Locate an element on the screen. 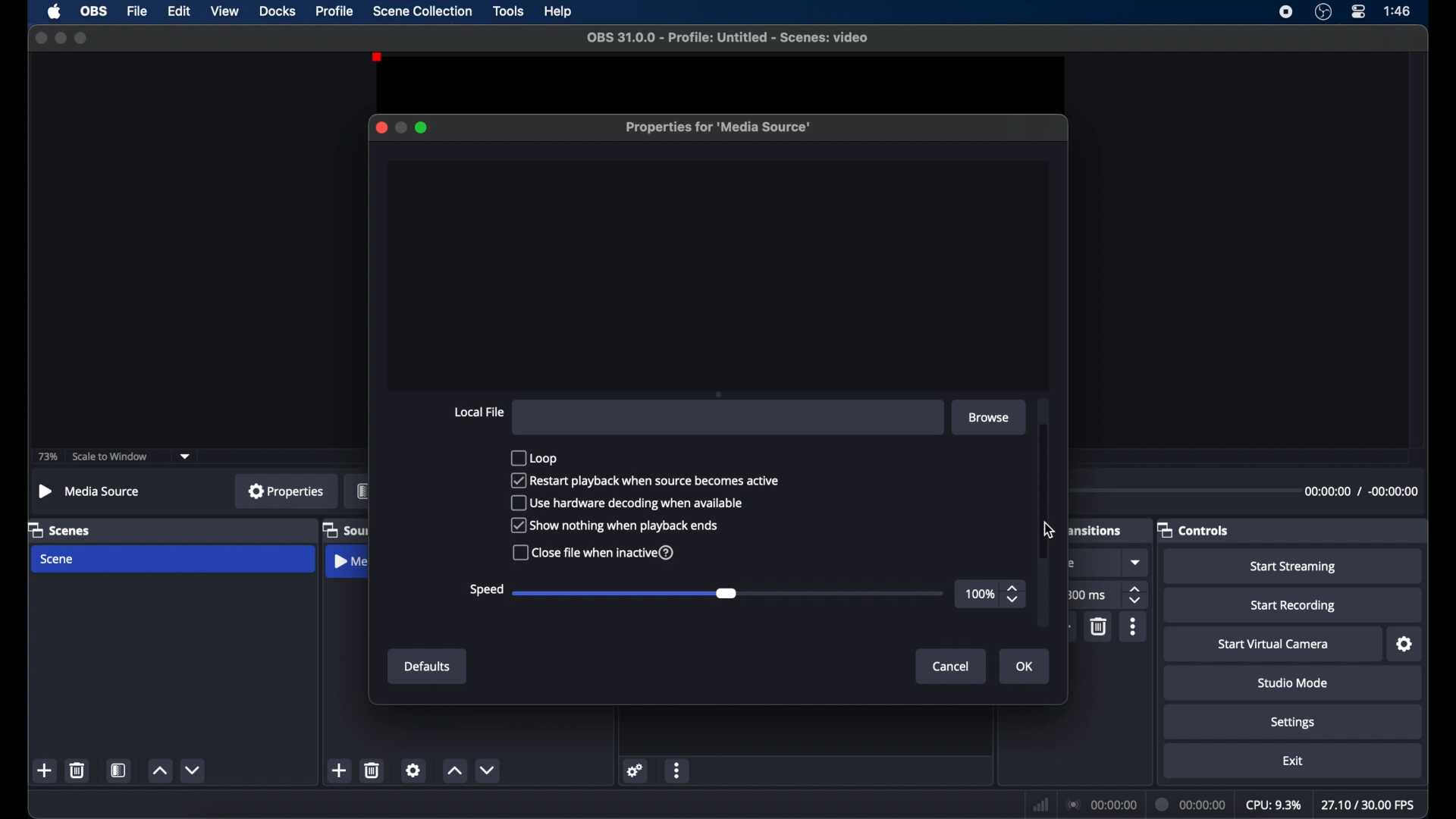 The height and width of the screenshot is (819, 1456). no source selected is located at coordinates (89, 491).